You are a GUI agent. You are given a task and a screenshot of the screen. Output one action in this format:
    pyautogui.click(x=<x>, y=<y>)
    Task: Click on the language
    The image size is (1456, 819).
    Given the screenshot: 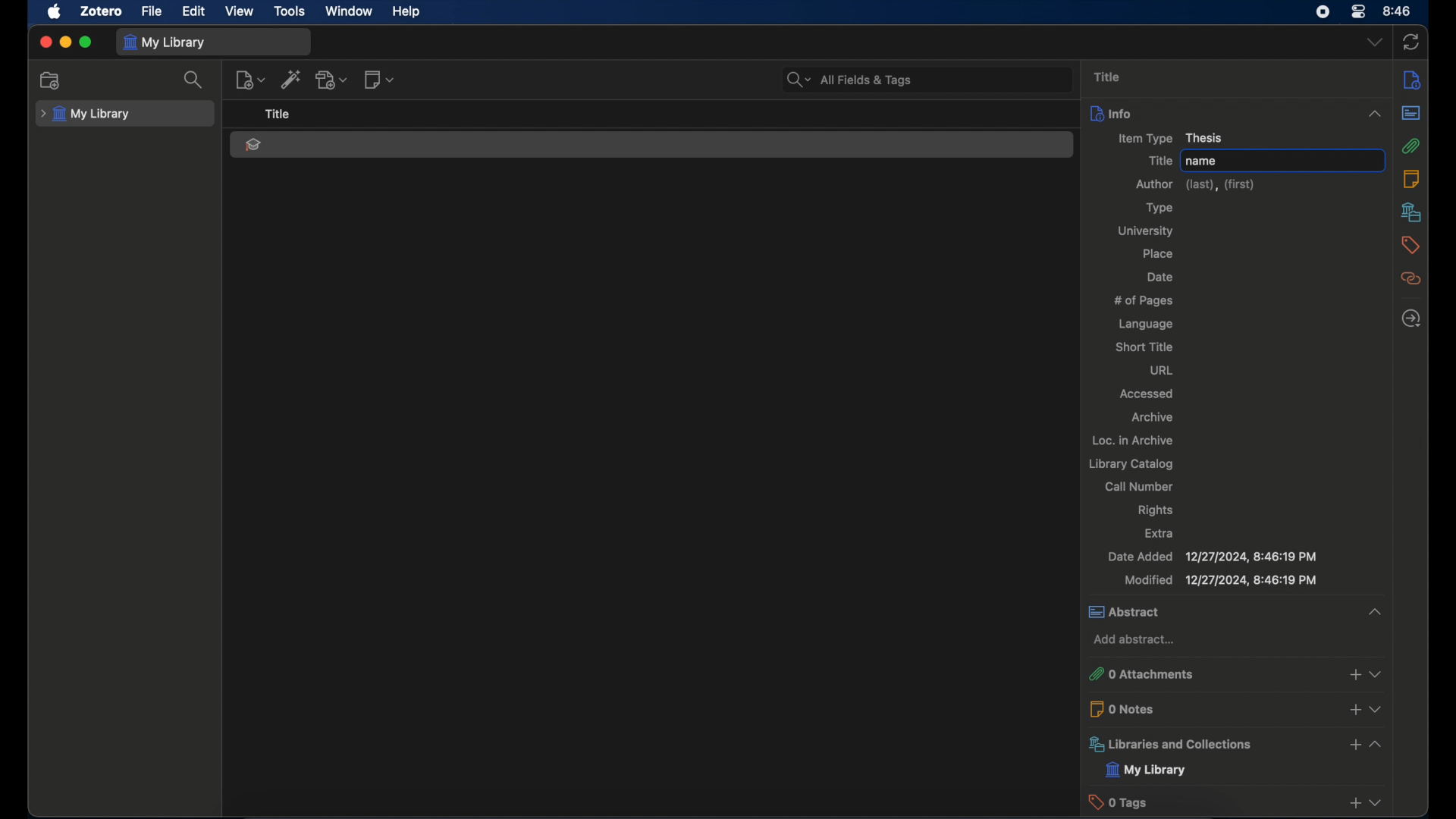 What is the action you would take?
    pyautogui.click(x=1146, y=325)
    